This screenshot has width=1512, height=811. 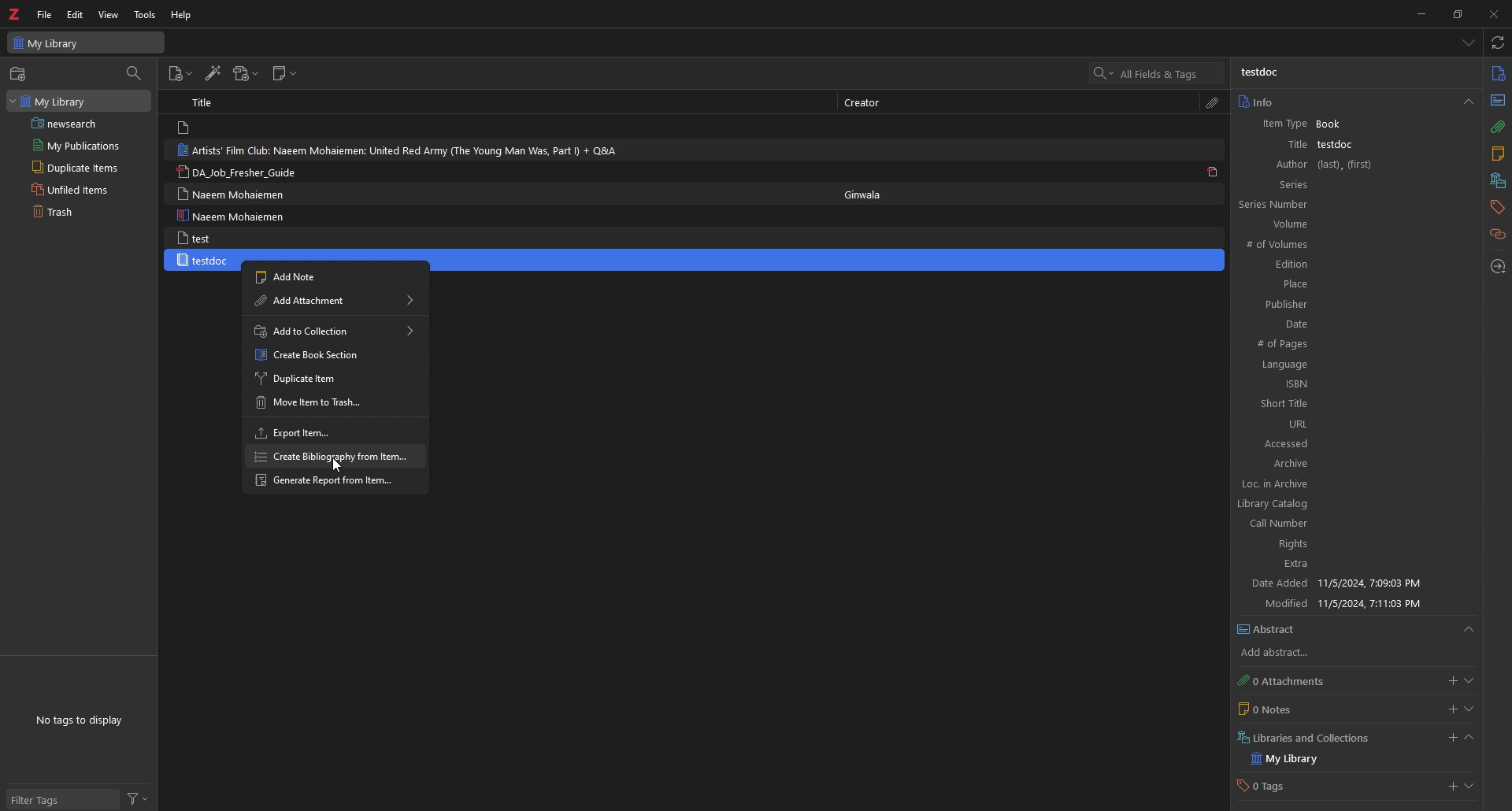 What do you see at coordinates (1347, 283) in the screenshot?
I see `Place` at bounding box center [1347, 283].